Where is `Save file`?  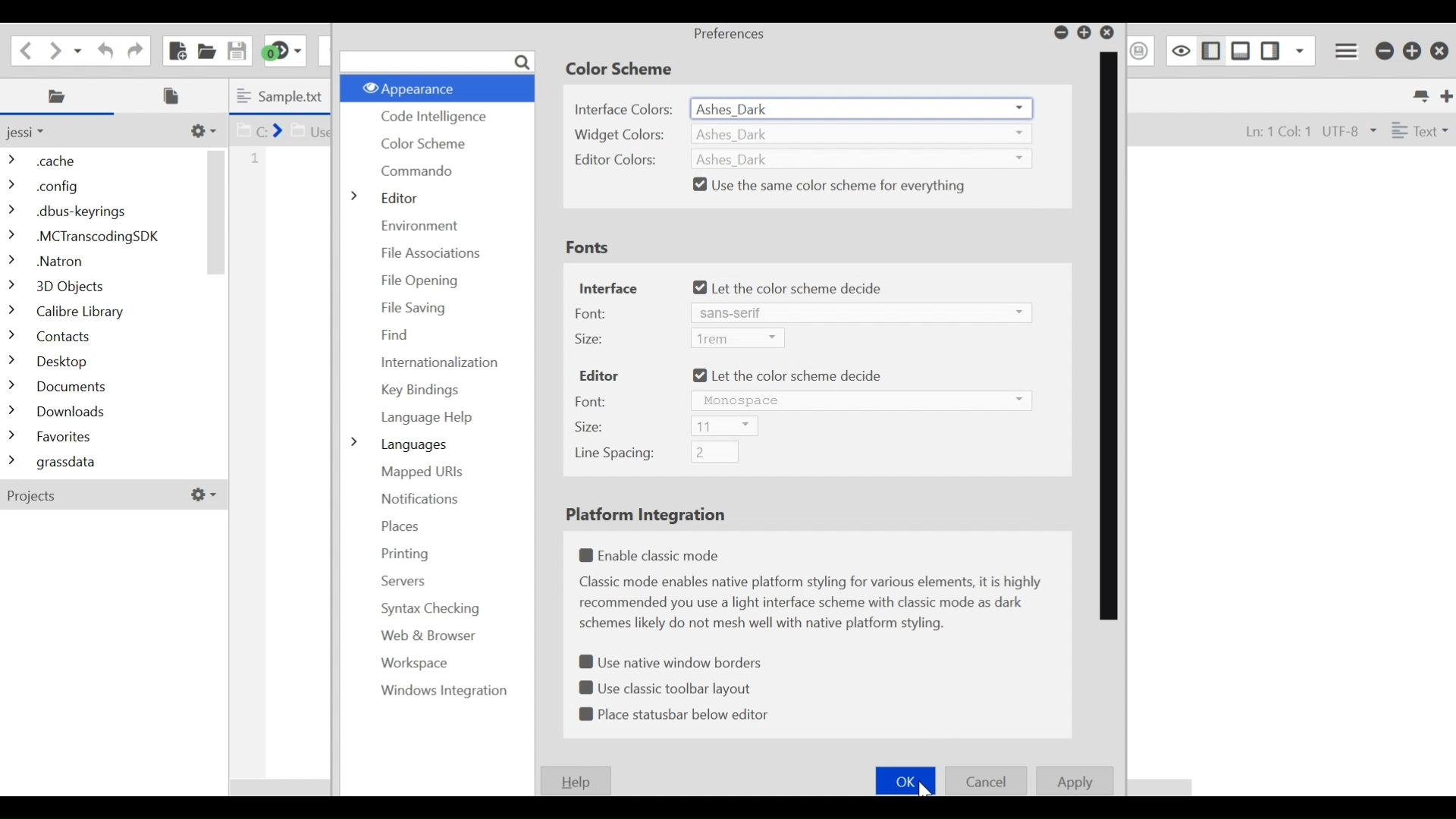 Save file is located at coordinates (235, 49).